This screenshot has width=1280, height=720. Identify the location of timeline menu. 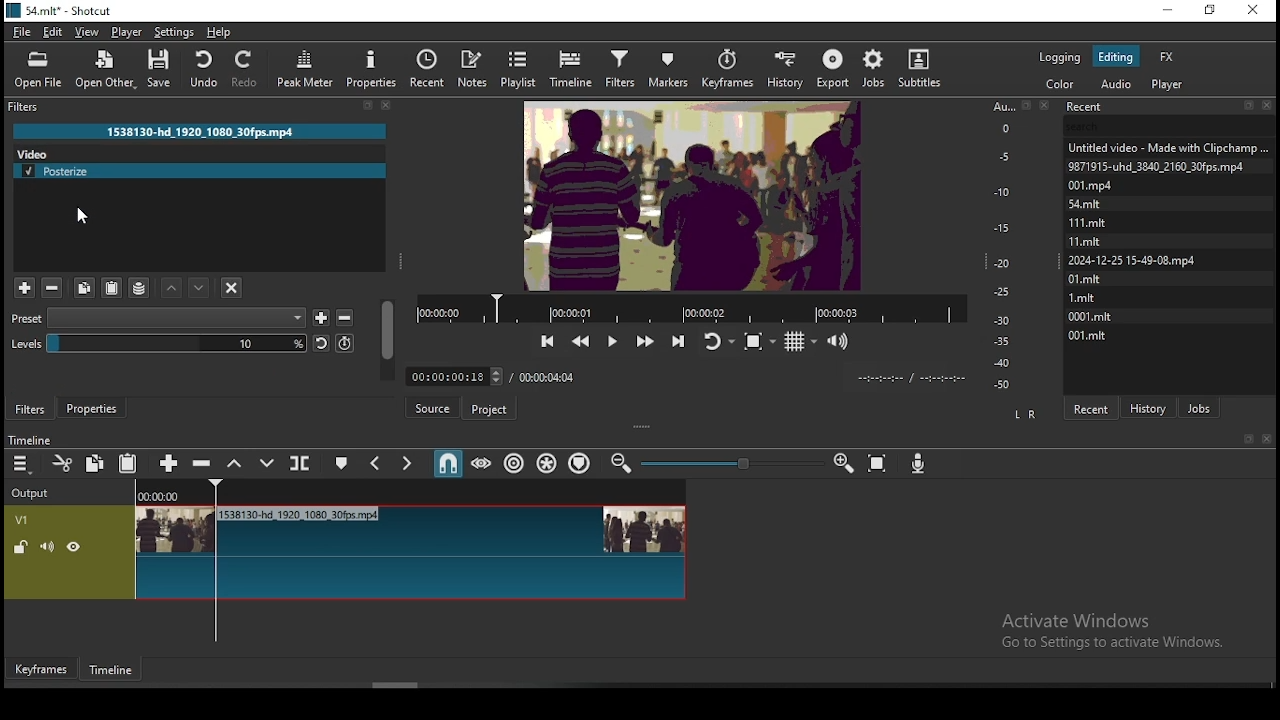
(23, 464).